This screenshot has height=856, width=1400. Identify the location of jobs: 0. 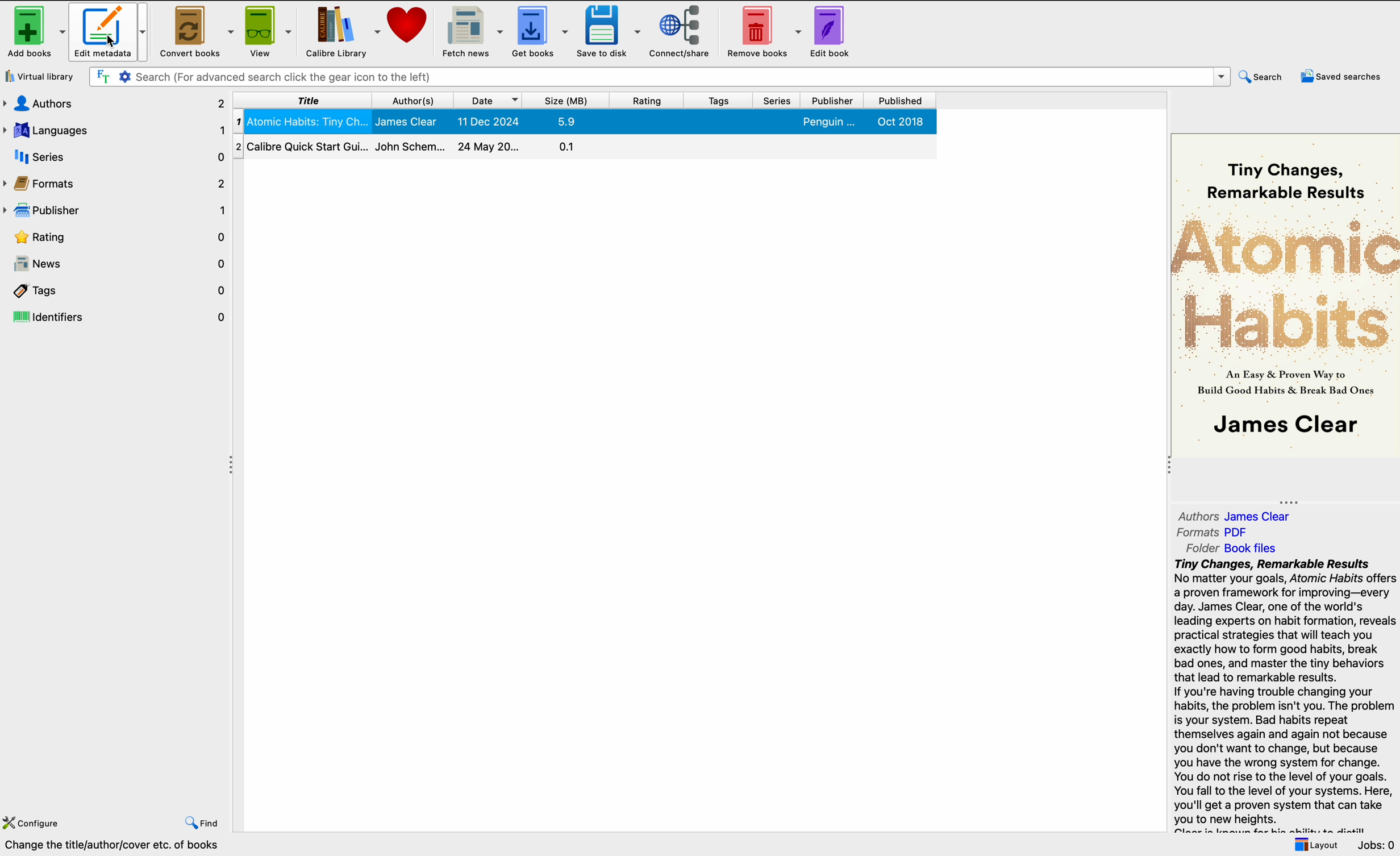
(1377, 845).